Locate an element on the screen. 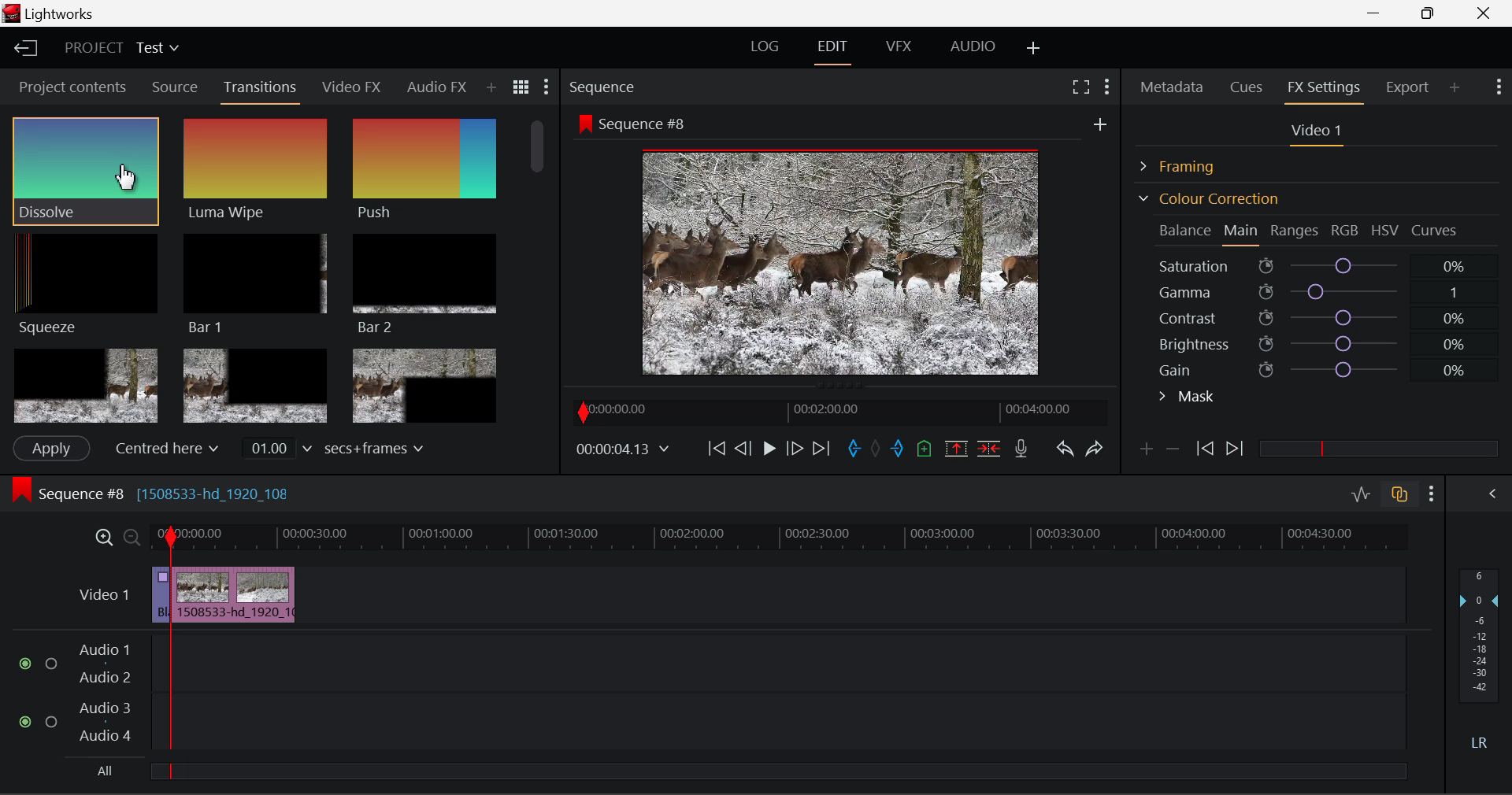 This screenshot has height=795, width=1512. Sequence Preview Section is located at coordinates (606, 88).